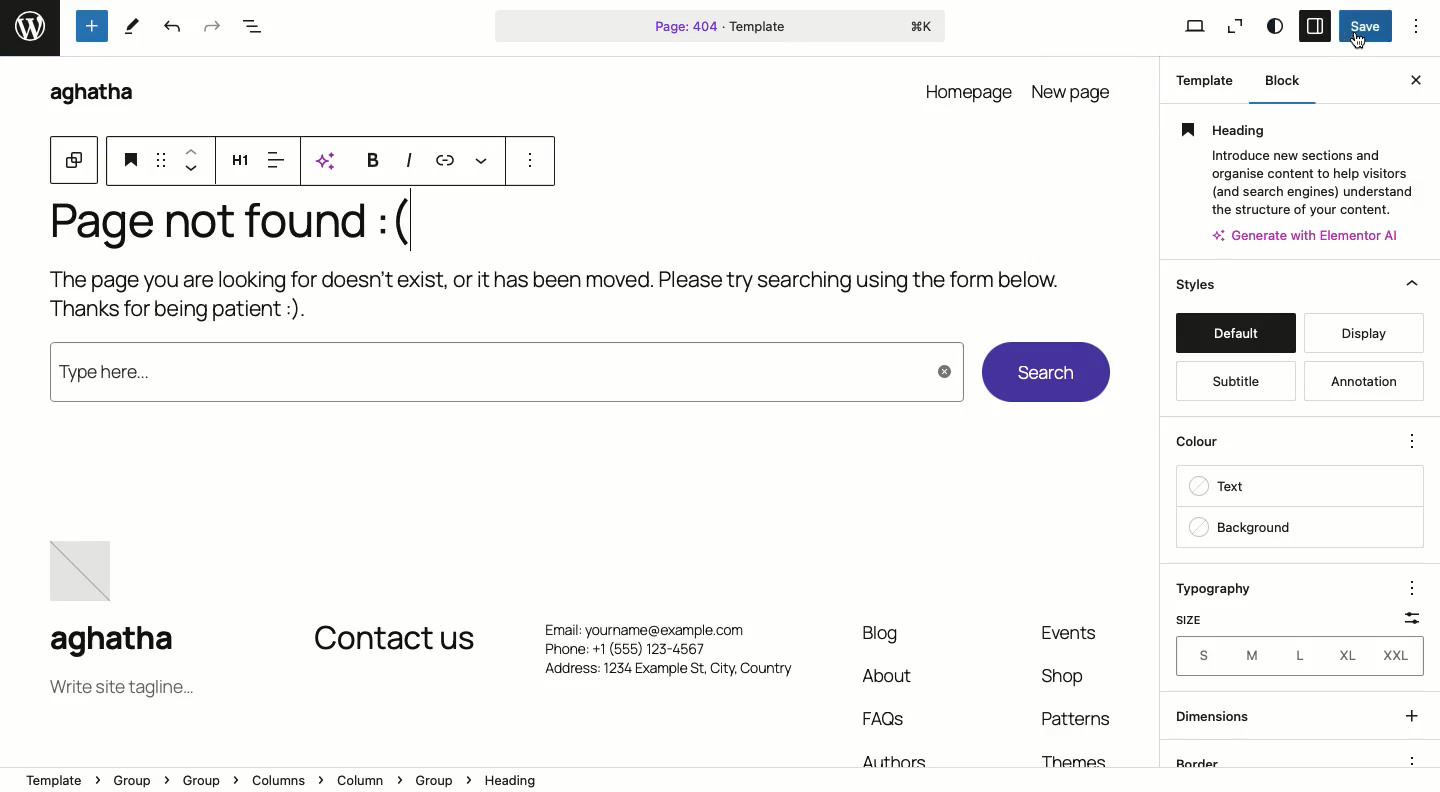 Image resolution: width=1440 pixels, height=792 pixels. I want to click on M, so click(1249, 656).